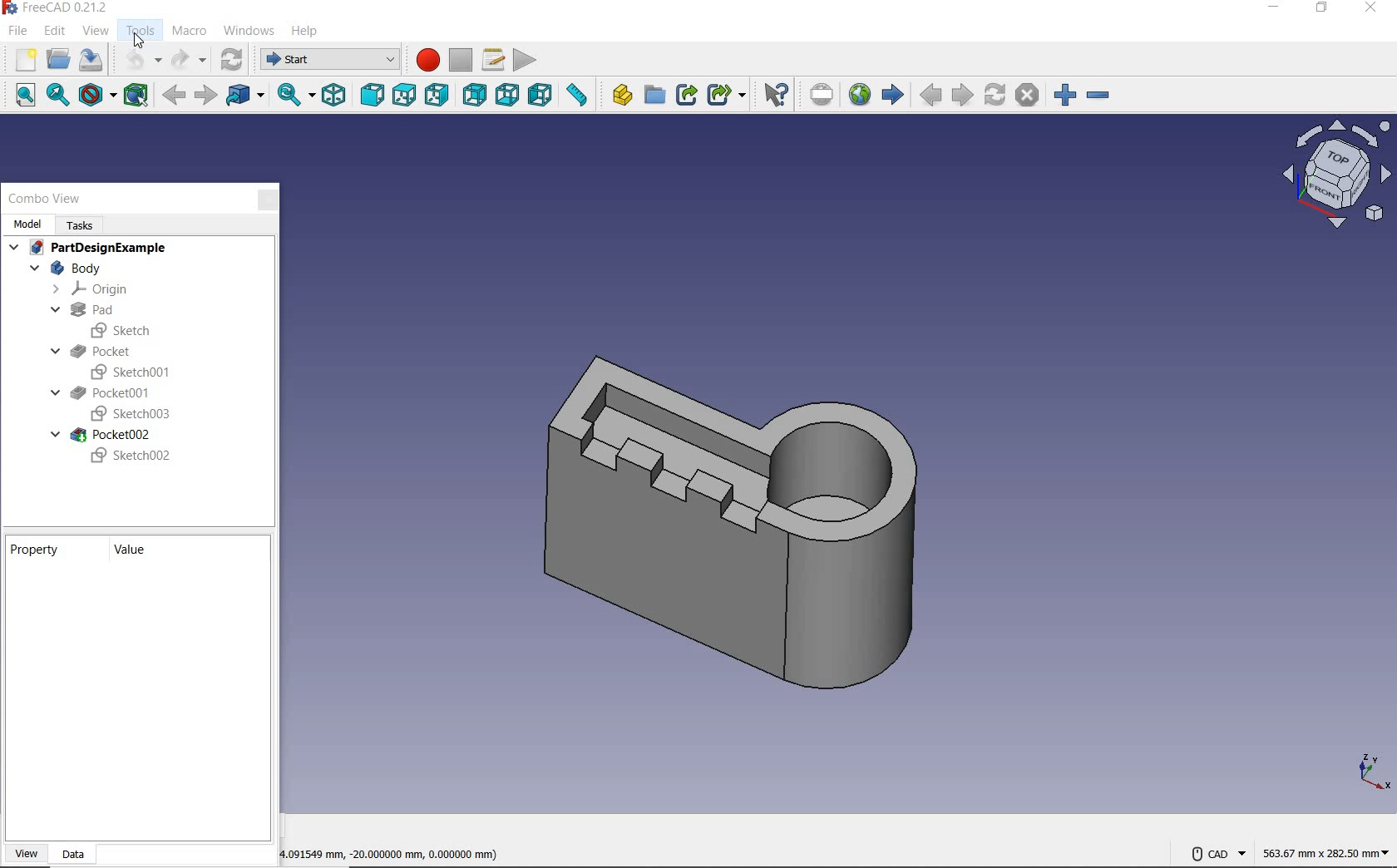  What do you see at coordinates (26, 851) in the screenshot?
I see `View` at bounding box center [26, 851].